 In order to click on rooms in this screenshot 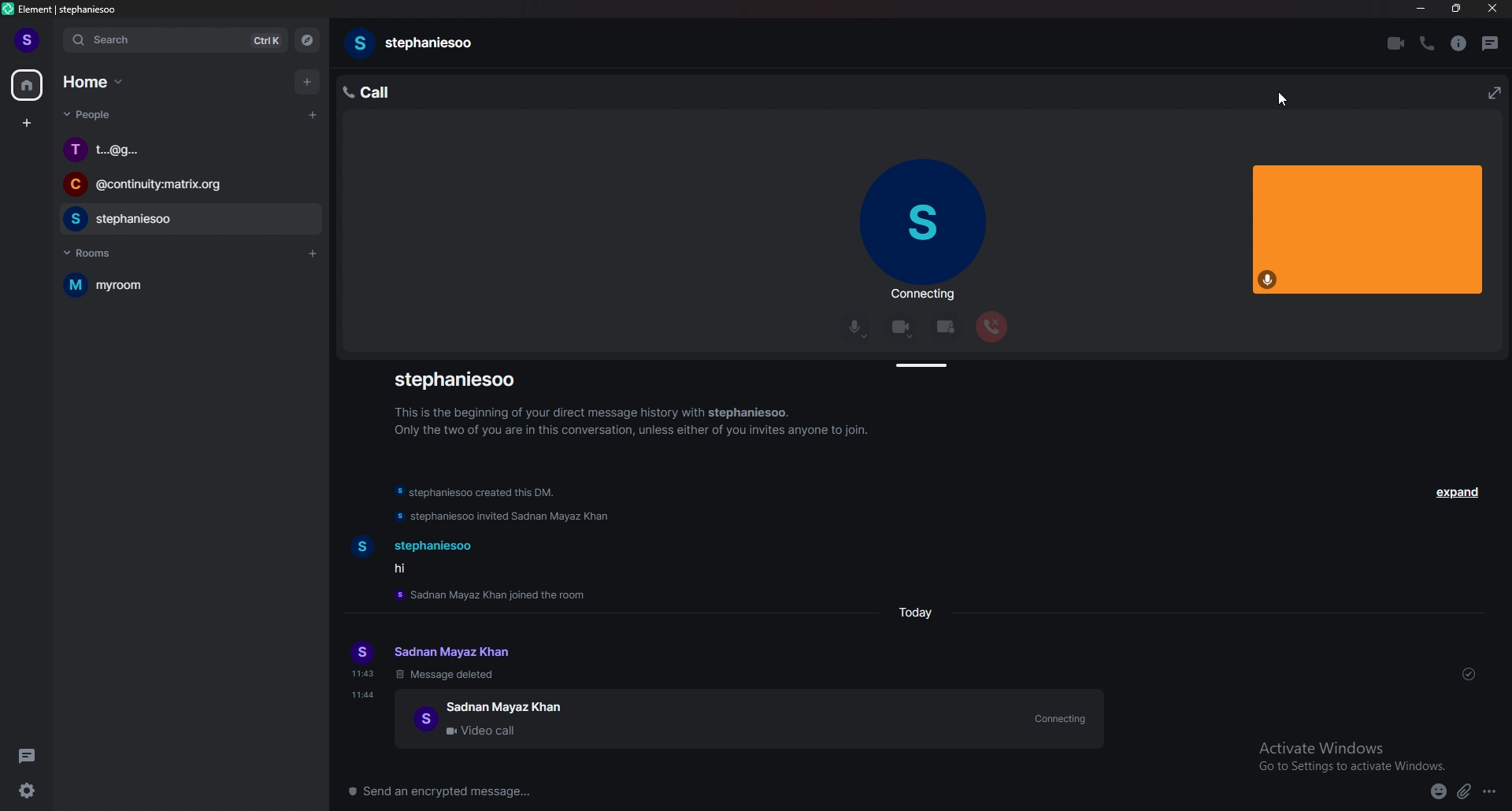, I will do `click(99, 254)`.